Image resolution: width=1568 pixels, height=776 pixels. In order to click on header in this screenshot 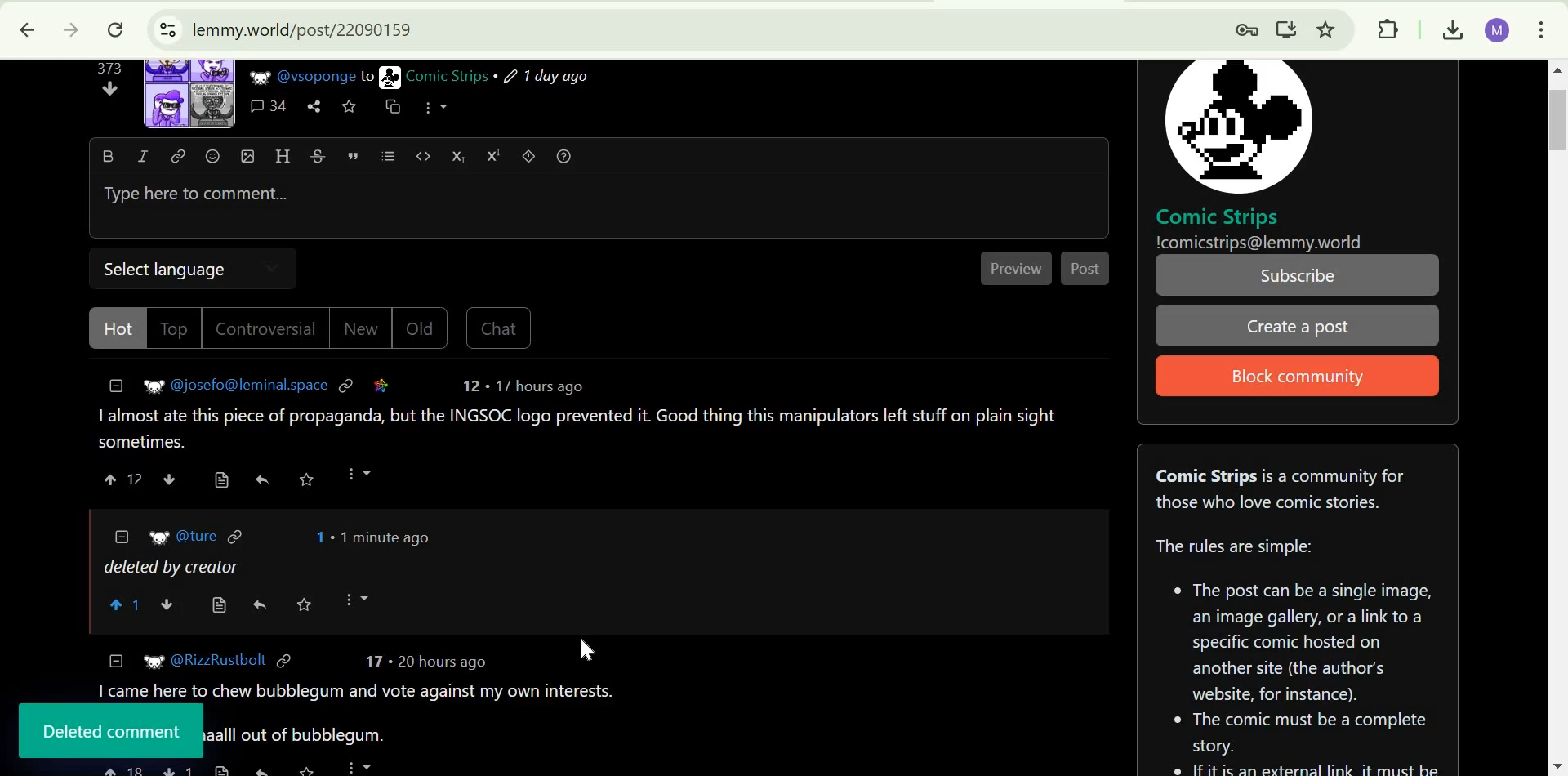, I will do `click(283, 155)`.